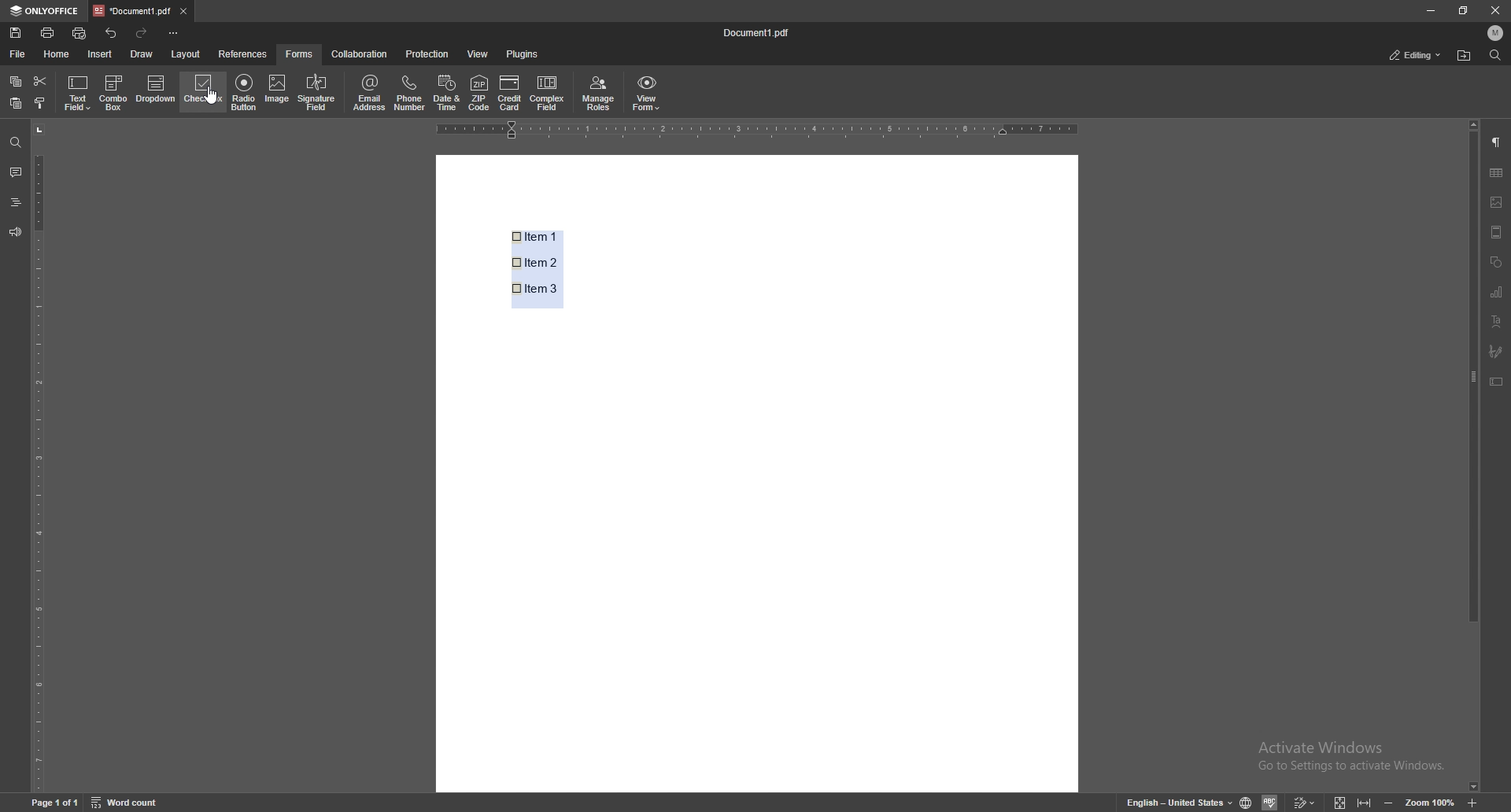  I want to click on header and footer, so click(1497, 231).